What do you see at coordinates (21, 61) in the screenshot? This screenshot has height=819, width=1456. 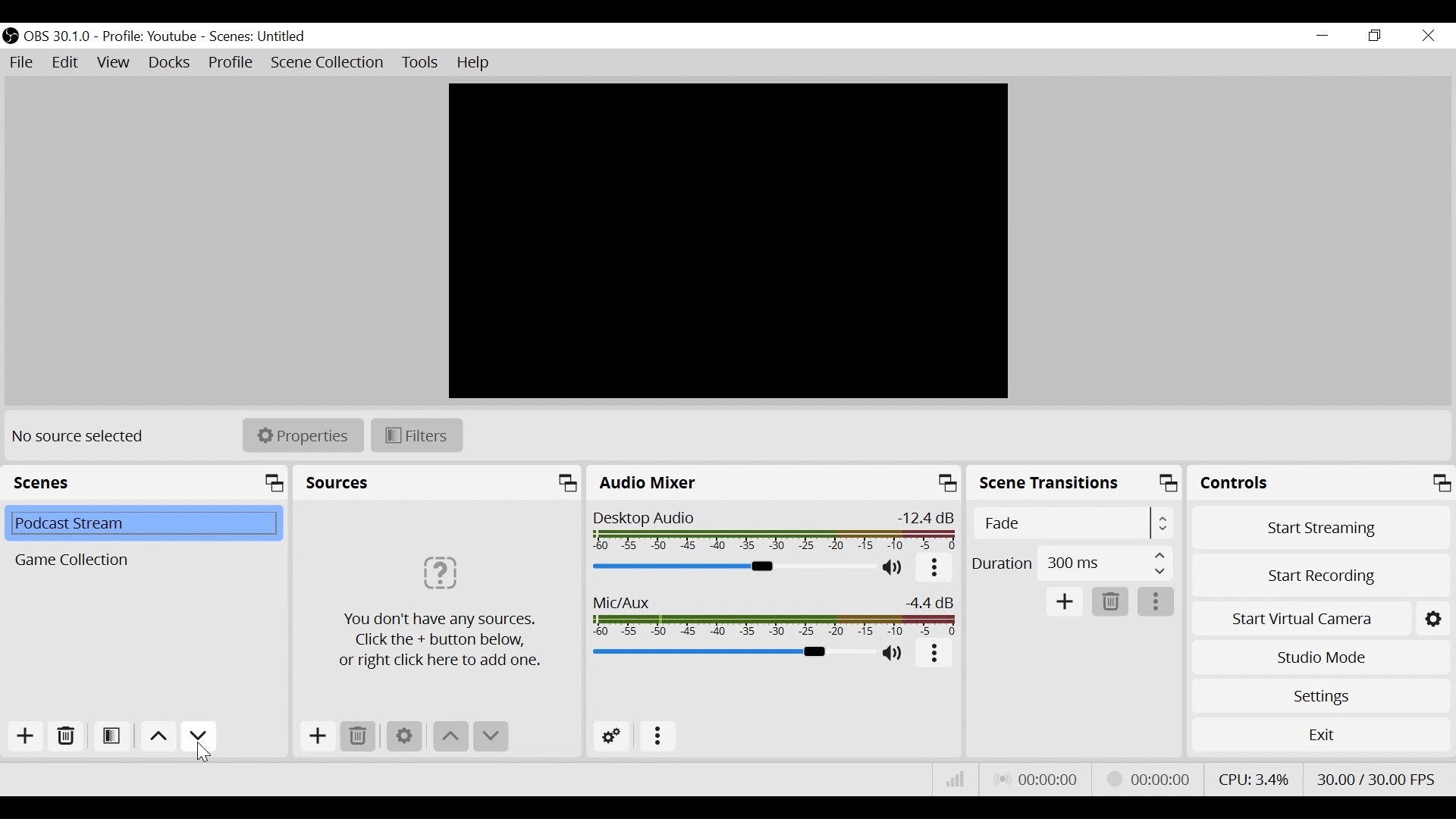 I see `File` at bounding box center [21, 61].